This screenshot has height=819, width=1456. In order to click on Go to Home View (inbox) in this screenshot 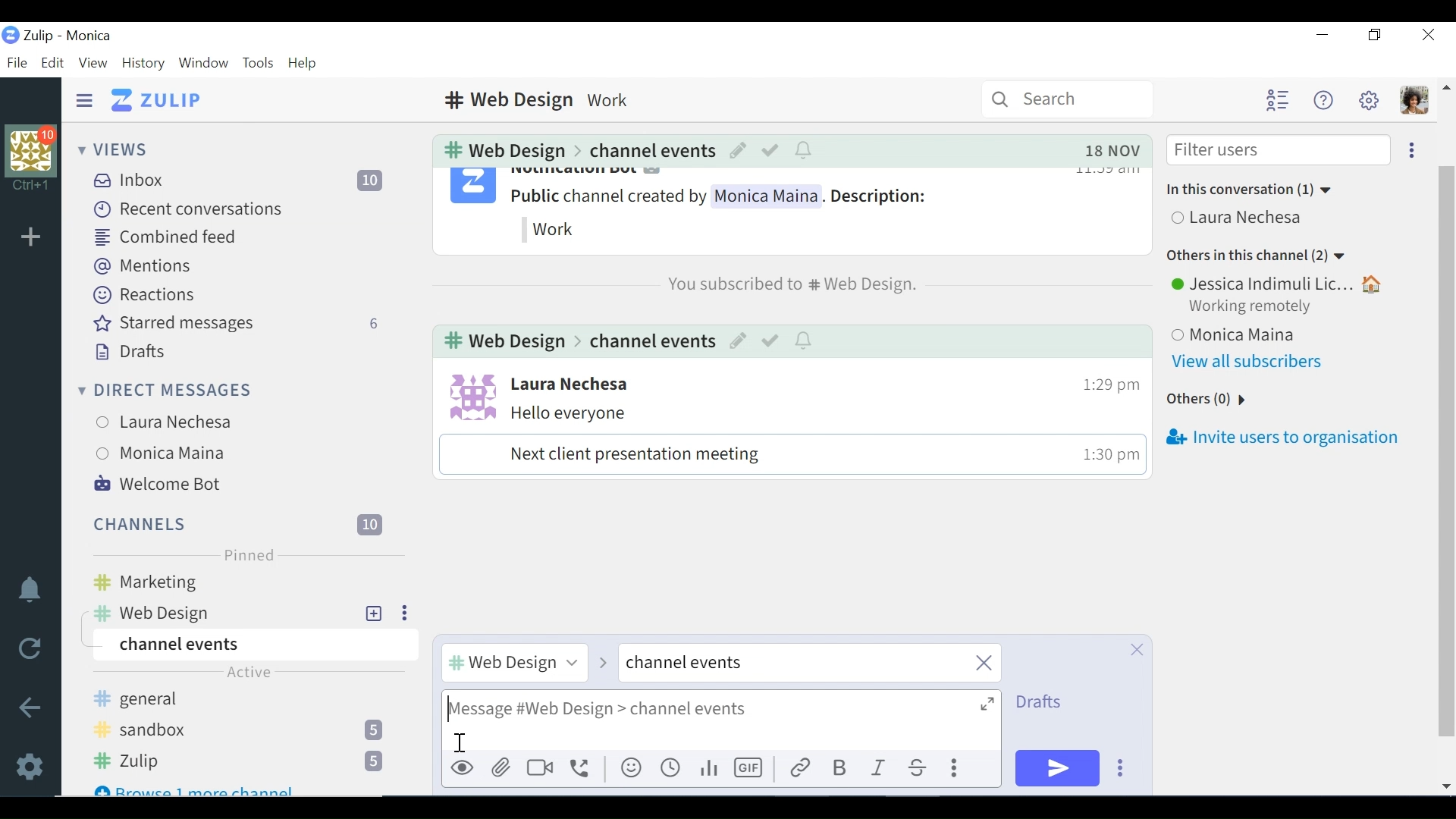, I will do `click(158, 101)`.